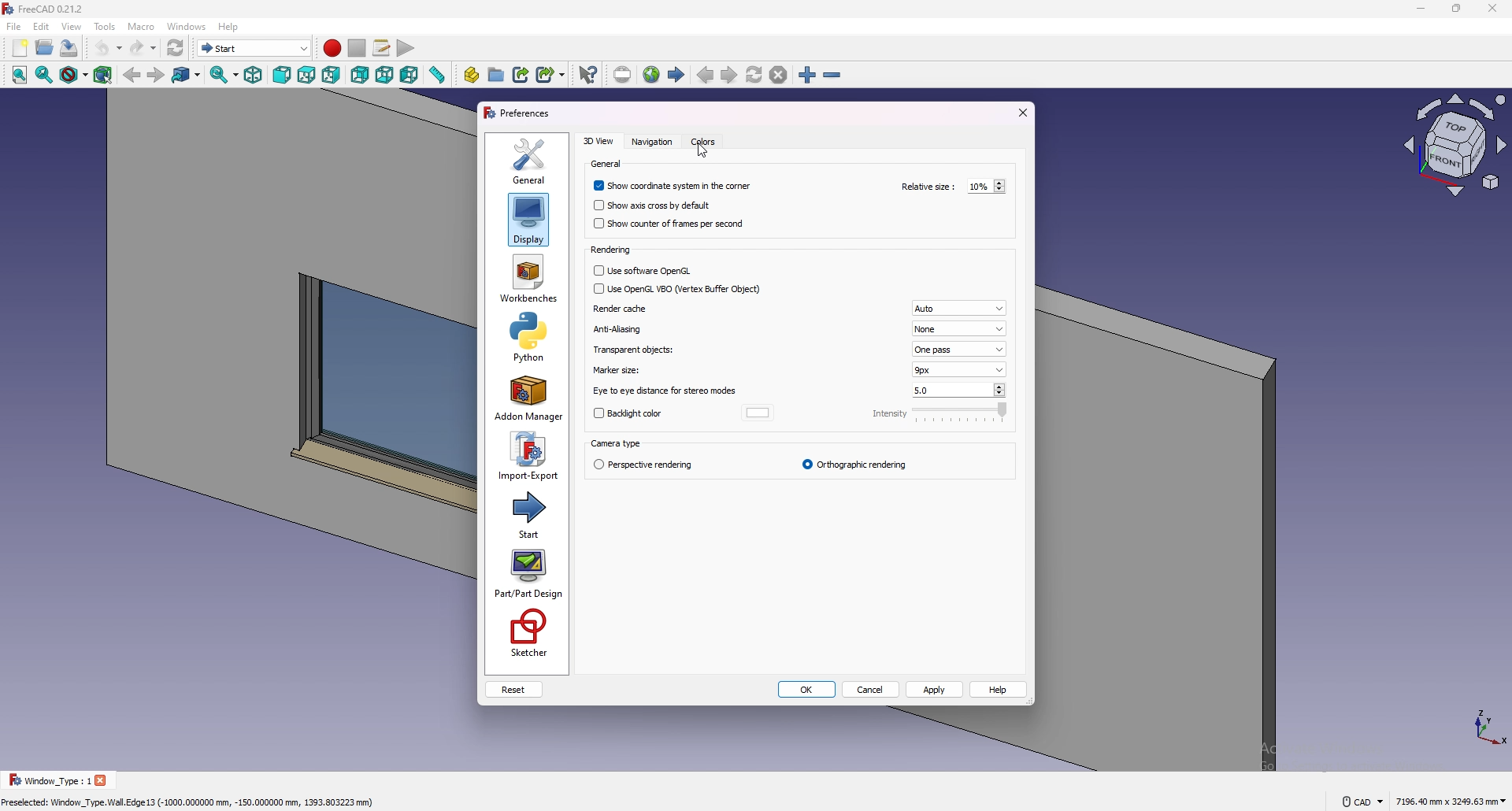 This screenshot has height=811, width=1512. Describe the element at coordinates (1457, 9) in the screenshot. I see `resize` at that location.